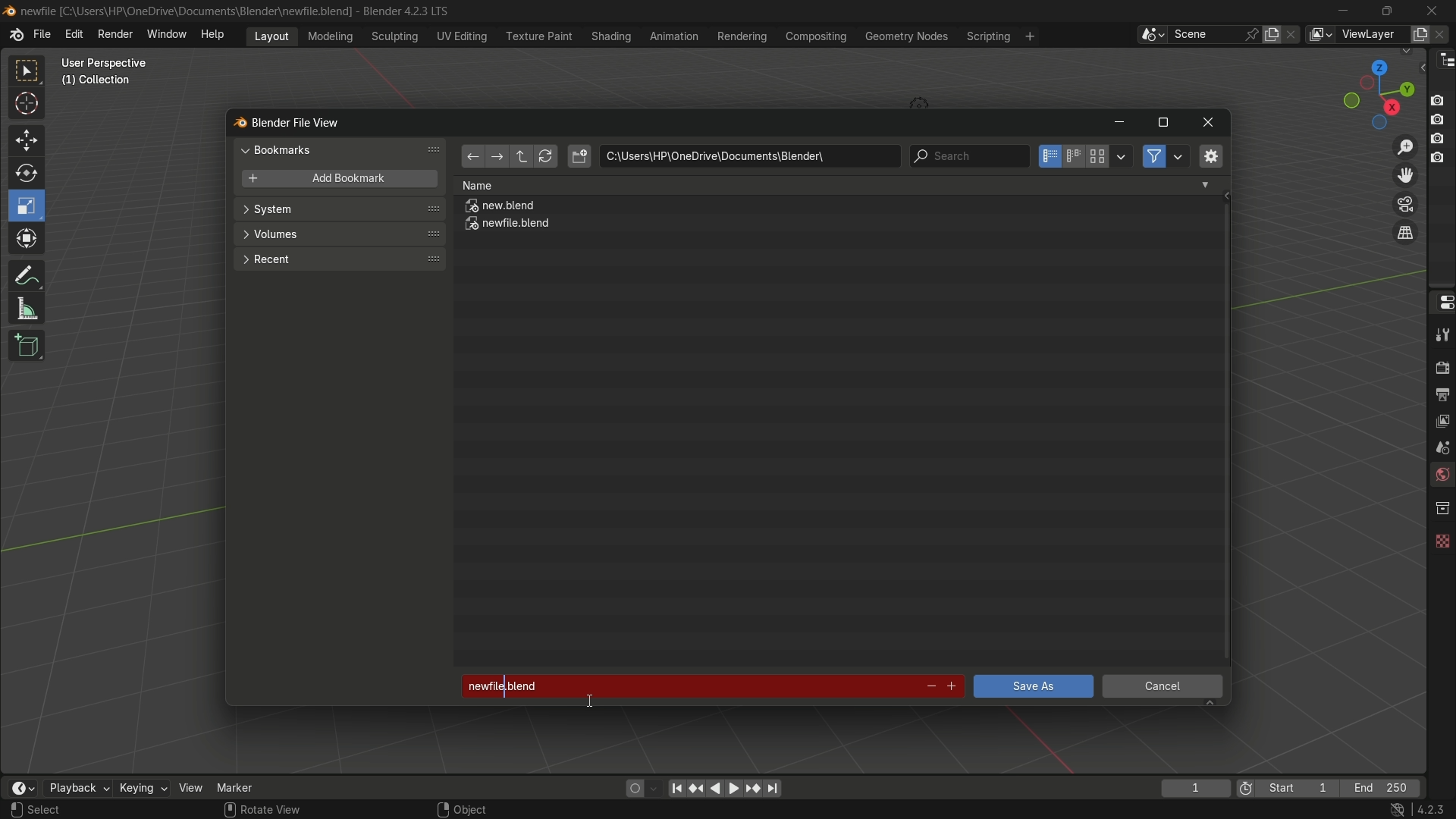 The image size is (1456, 819). Describe the element at coordinates (753, 787) in the screenshot. I see `jump to keyframe` at that location.